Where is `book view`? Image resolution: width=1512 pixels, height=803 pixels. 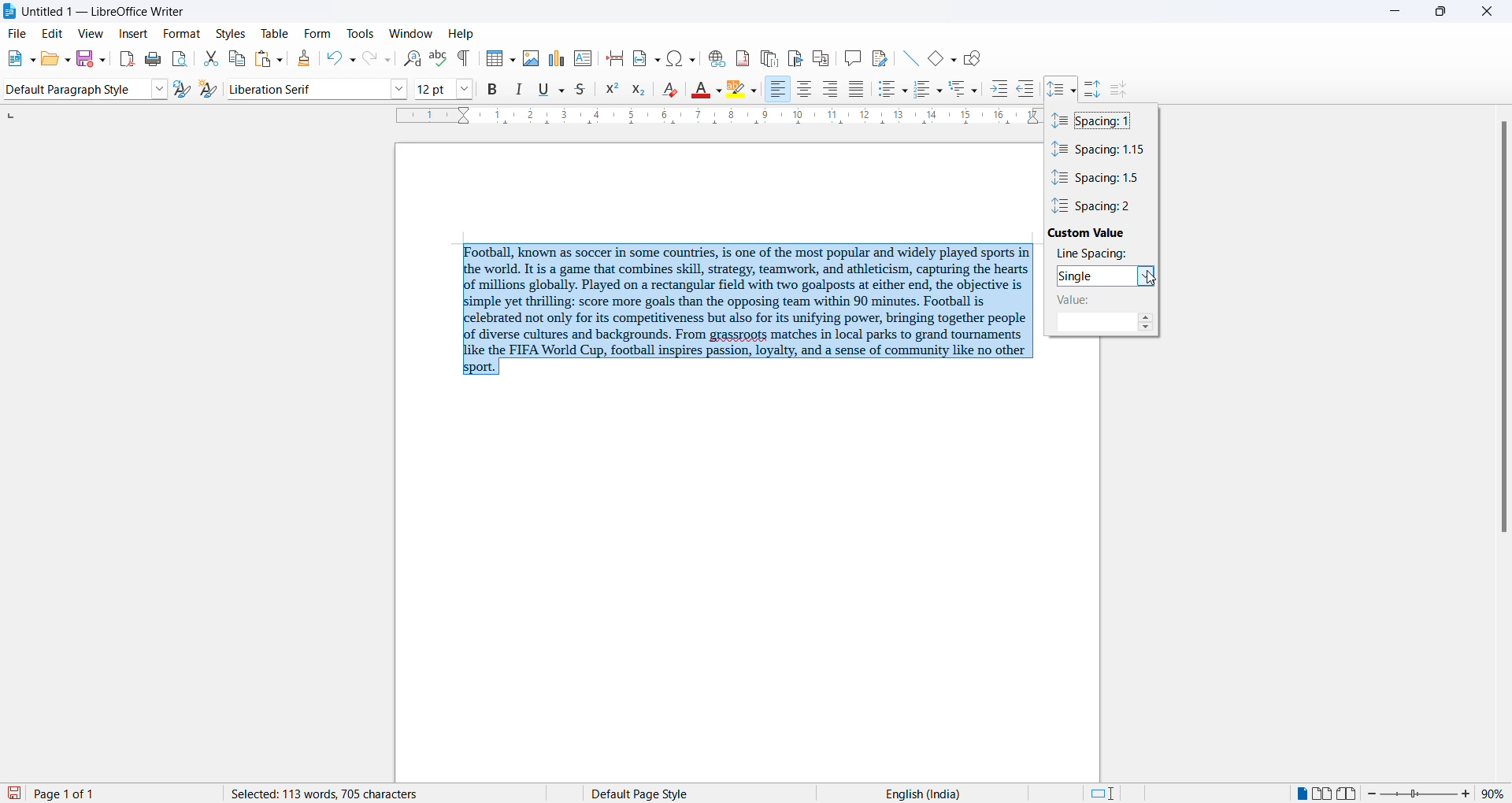
book view is located at coordinates (1349, 794).